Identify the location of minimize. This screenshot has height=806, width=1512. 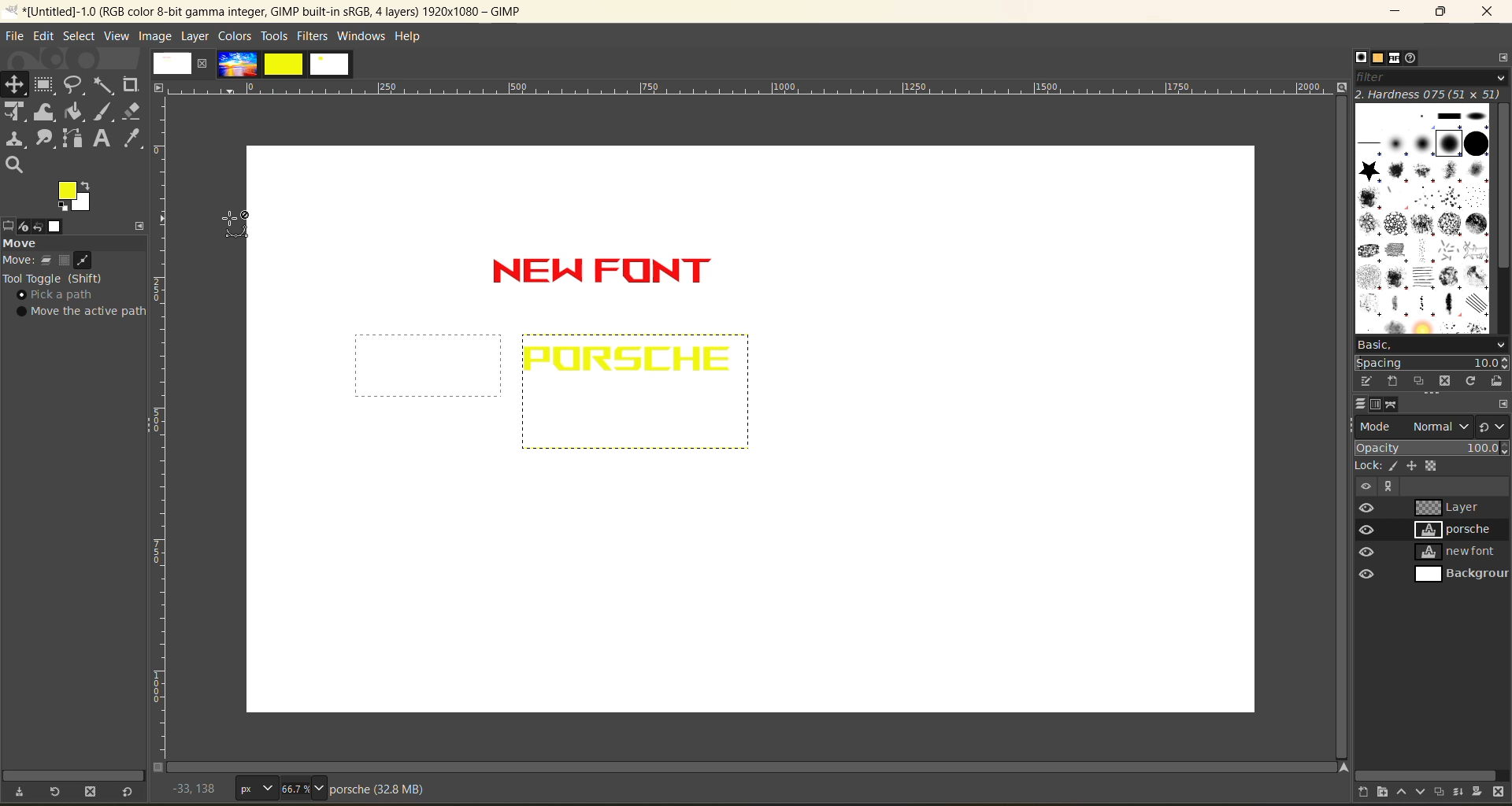
(1397, 12).